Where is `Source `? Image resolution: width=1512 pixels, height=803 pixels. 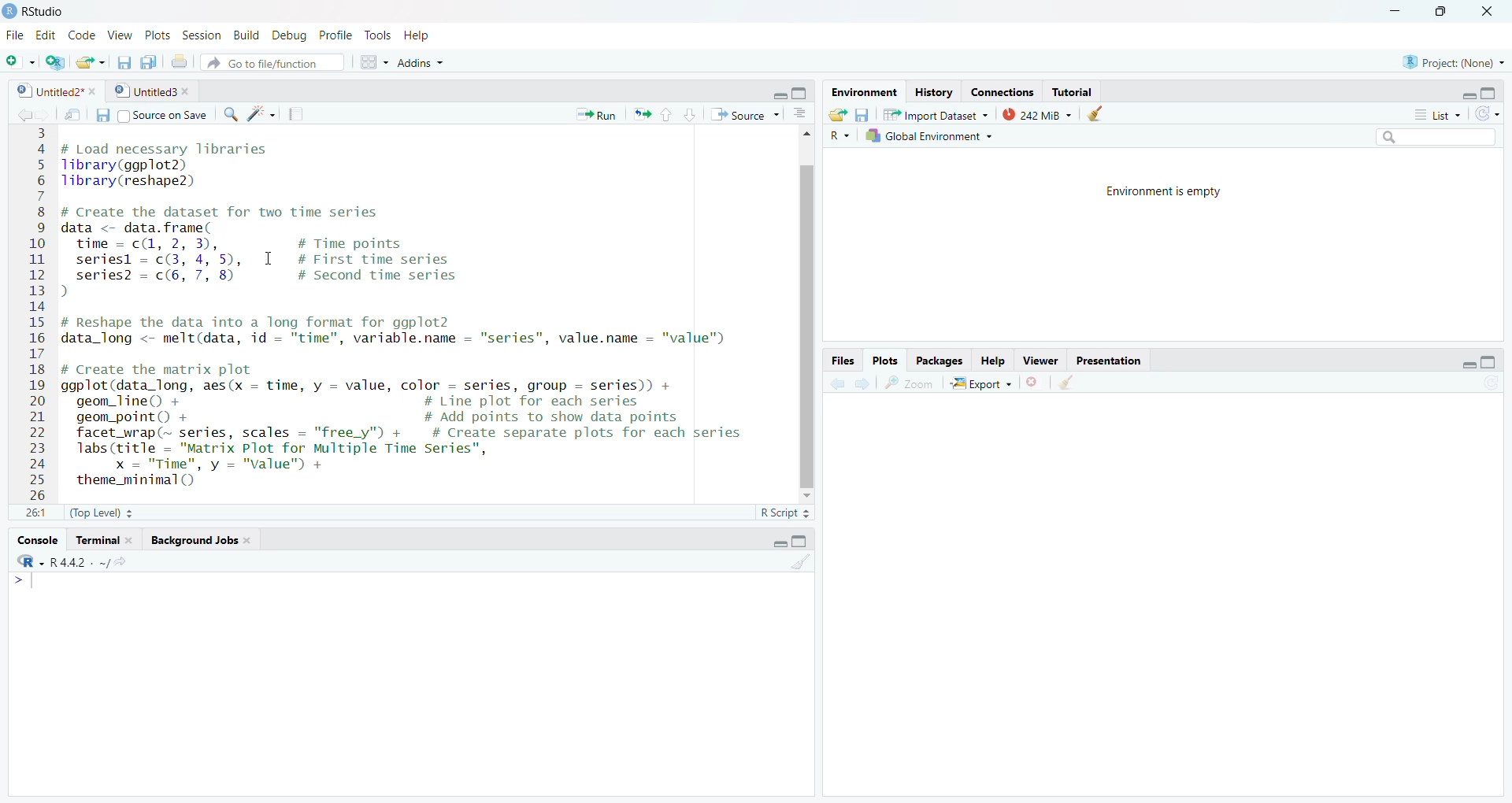
Source  is located at coordinates (747, 114).